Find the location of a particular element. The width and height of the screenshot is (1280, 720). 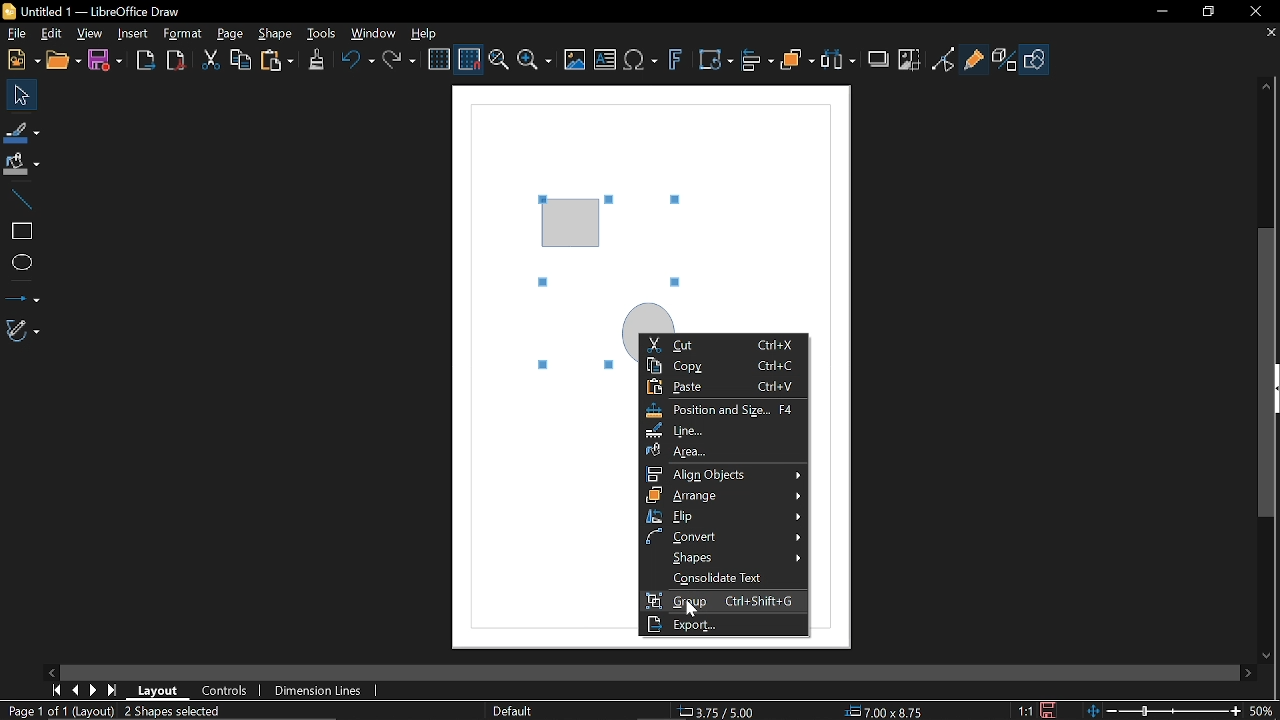

Next page is located at coordinates (96, 691).